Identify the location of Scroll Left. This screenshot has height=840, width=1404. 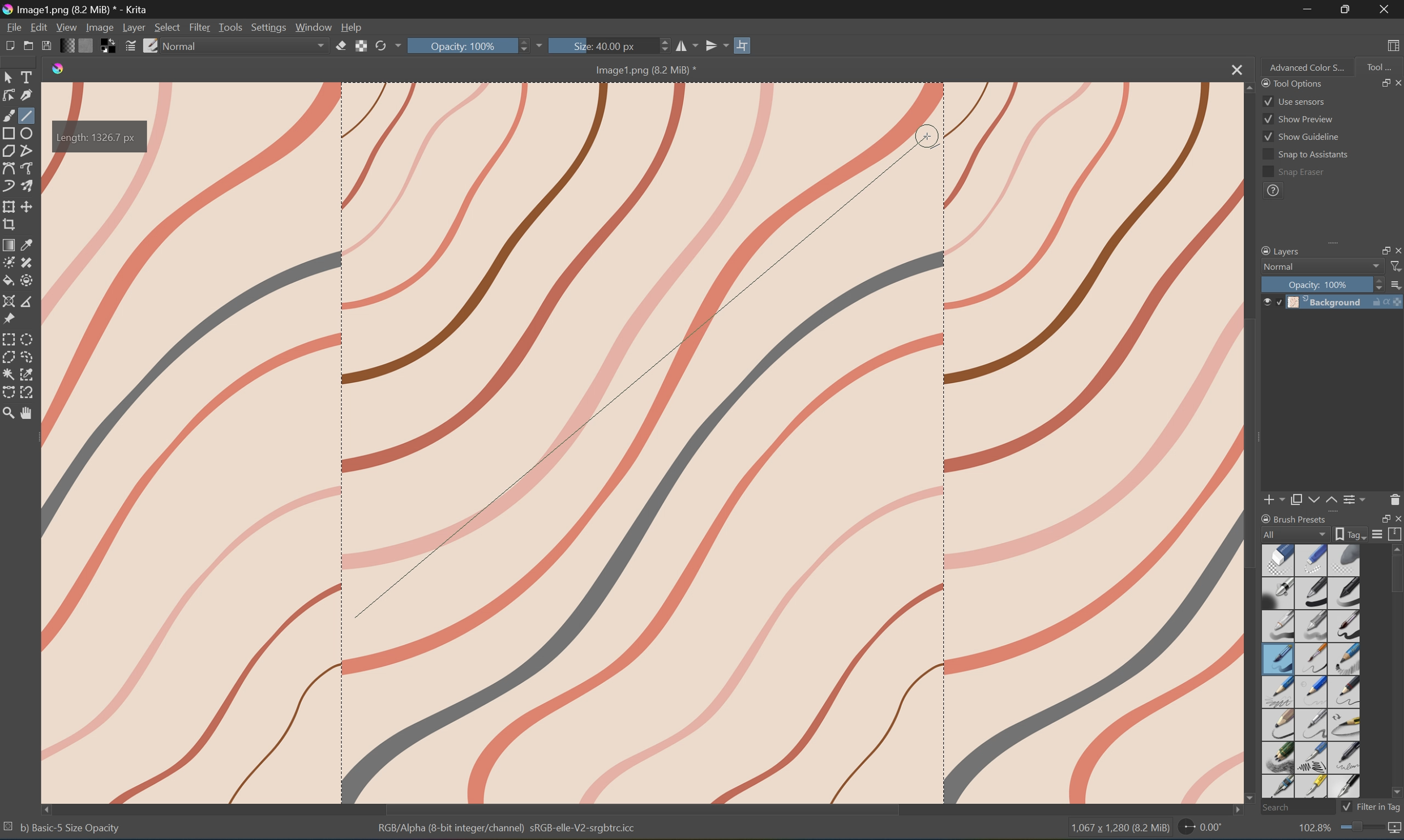
(48, 808).